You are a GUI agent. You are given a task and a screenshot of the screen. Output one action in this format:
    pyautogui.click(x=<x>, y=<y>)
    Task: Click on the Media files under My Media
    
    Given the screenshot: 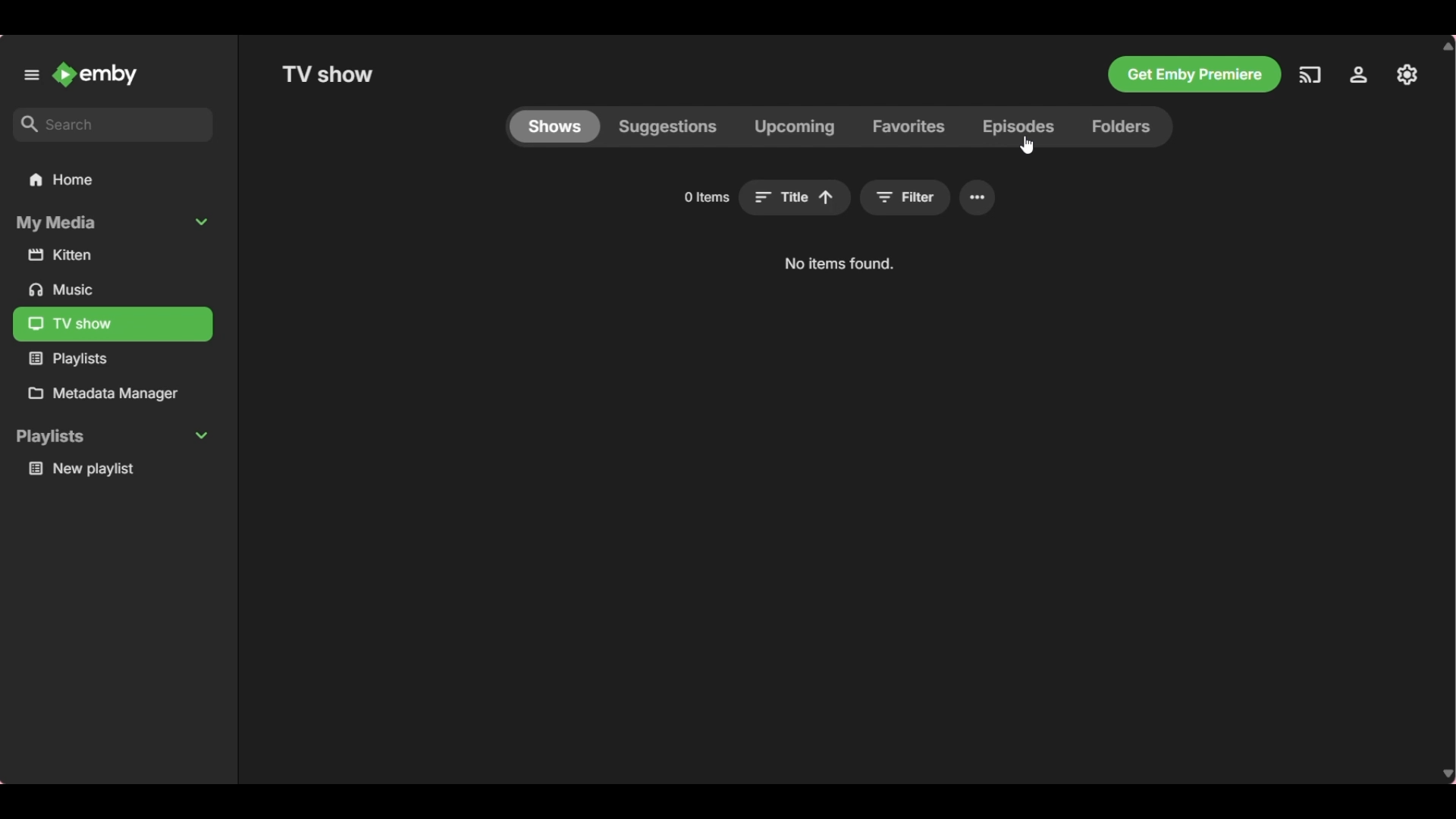 What is the action you would take?
    pyautogui.click(x=70, y=358)
    